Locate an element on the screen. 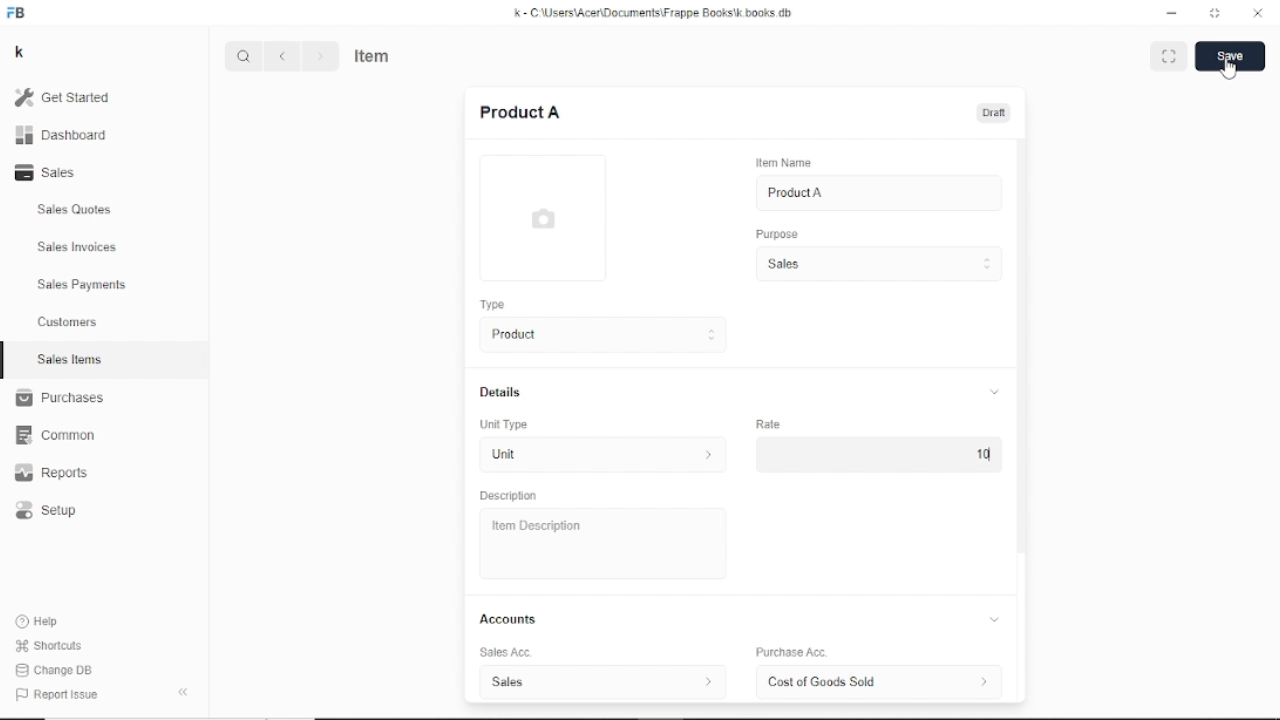 This screenshot has width=1280, height=720. Sales Items is located at coordinates (70, 359).